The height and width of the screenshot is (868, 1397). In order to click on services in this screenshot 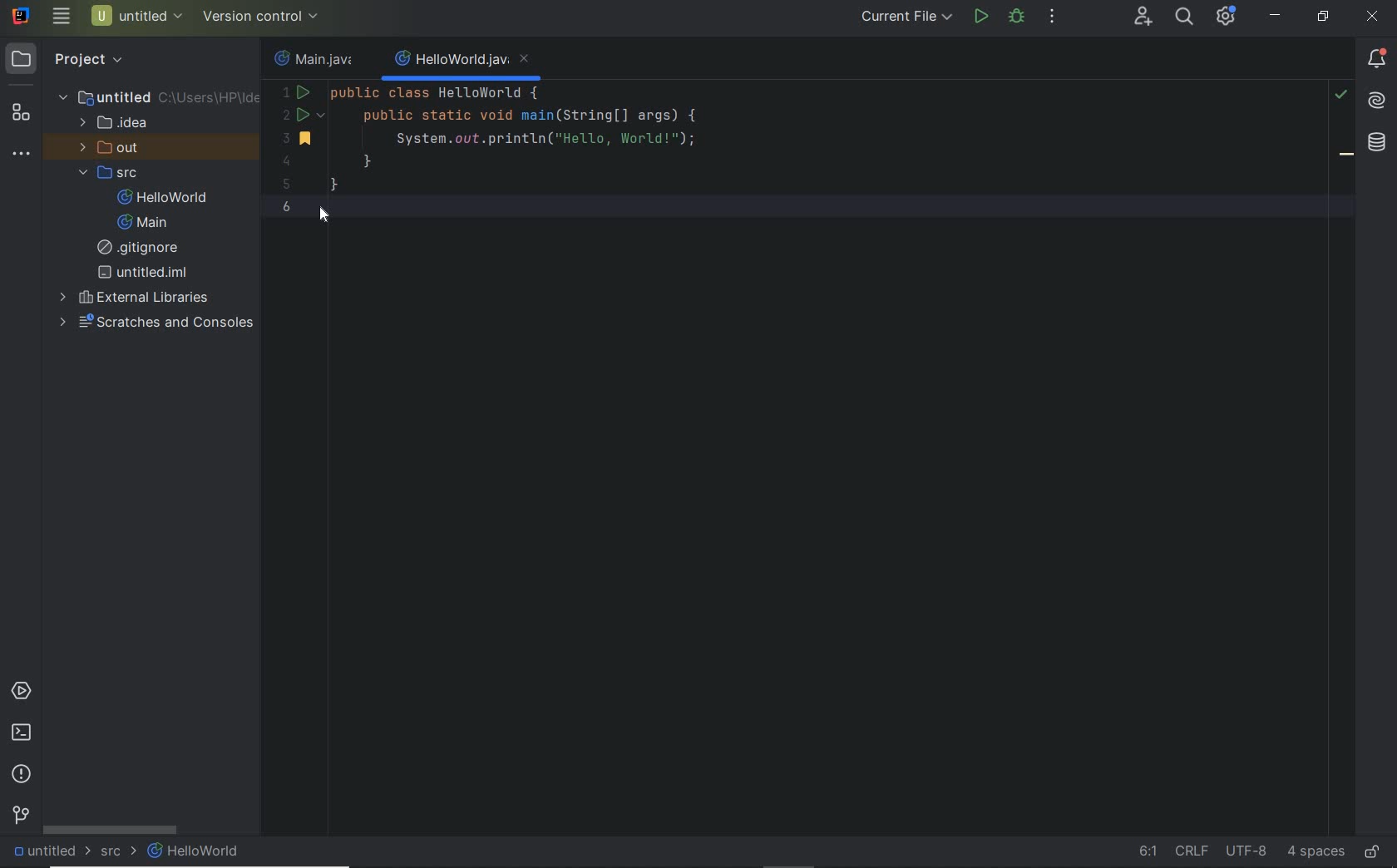, I will do `click(21, 692)`.